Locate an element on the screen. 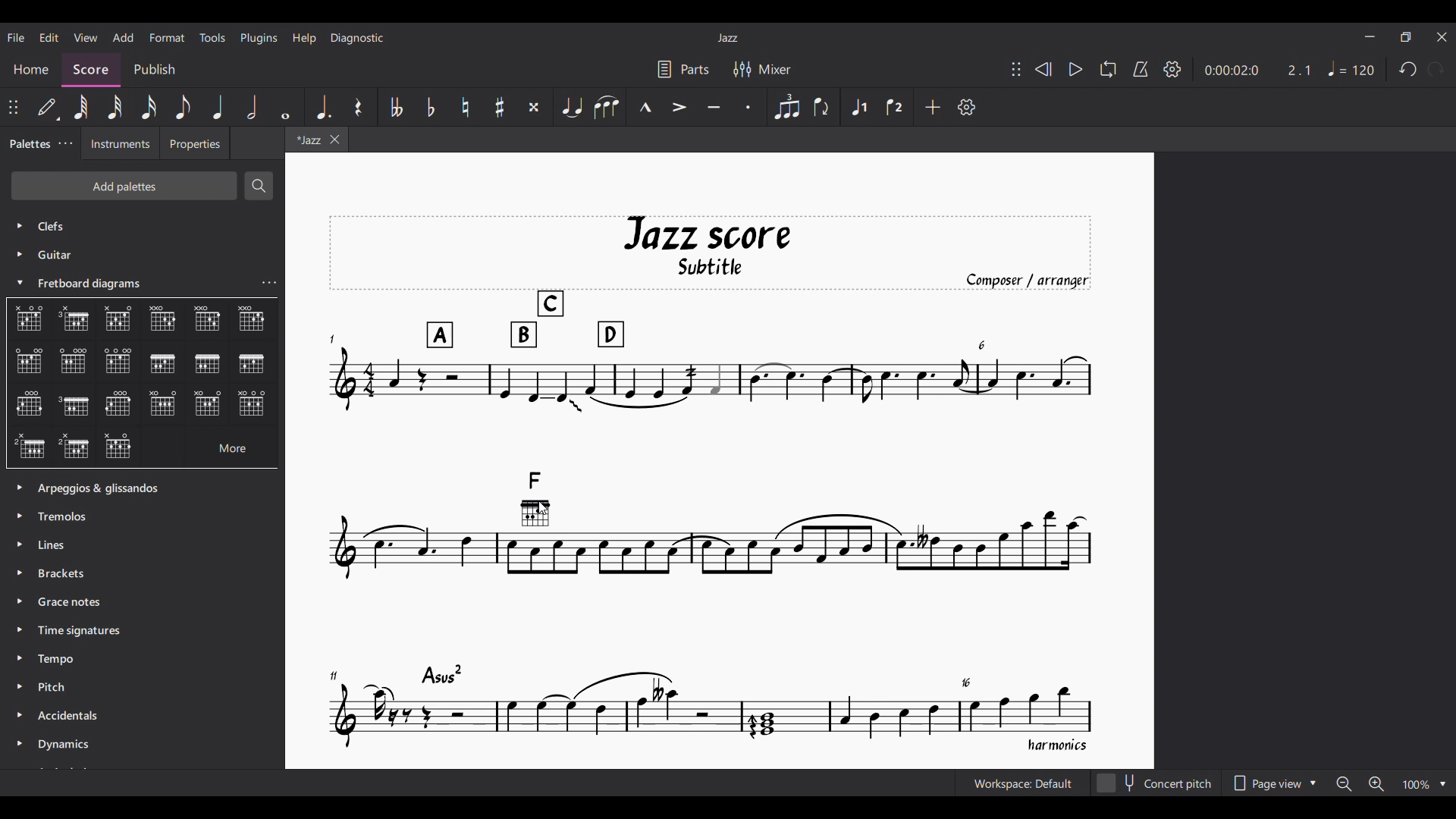 This screenshot has width=1456, height=819. Slur is located at coordinates (607, 106).